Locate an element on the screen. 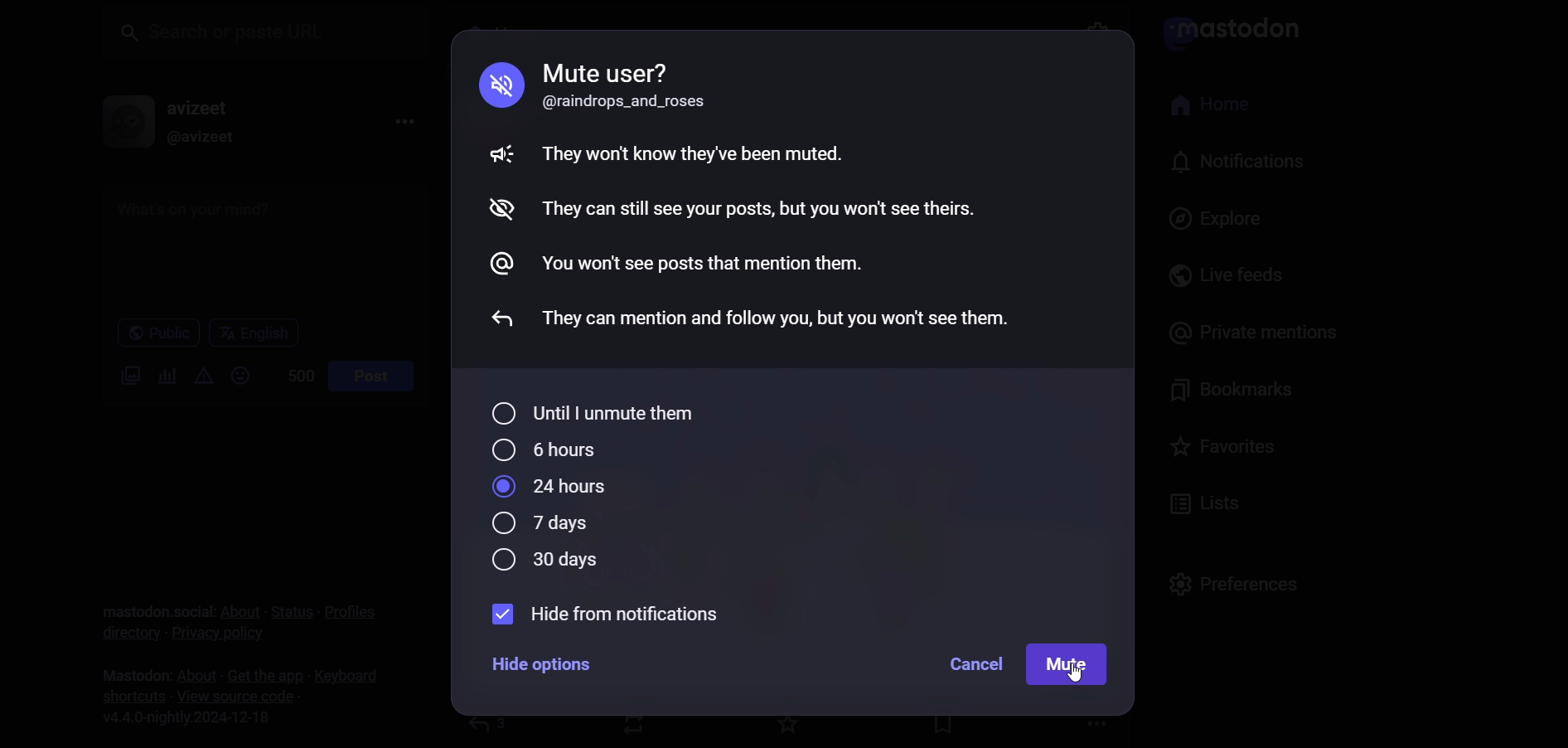  until I unmute them is located at coordinates (598, 411).